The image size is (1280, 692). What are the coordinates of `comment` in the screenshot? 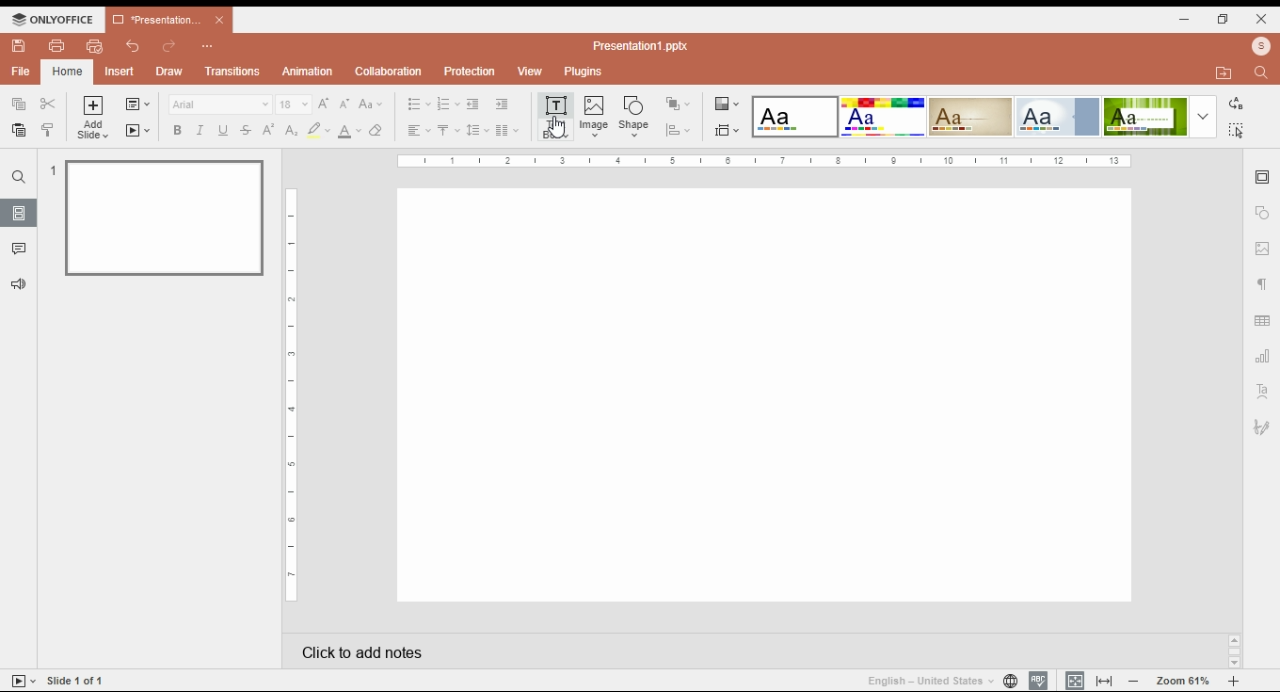 It's located at (21, 250).